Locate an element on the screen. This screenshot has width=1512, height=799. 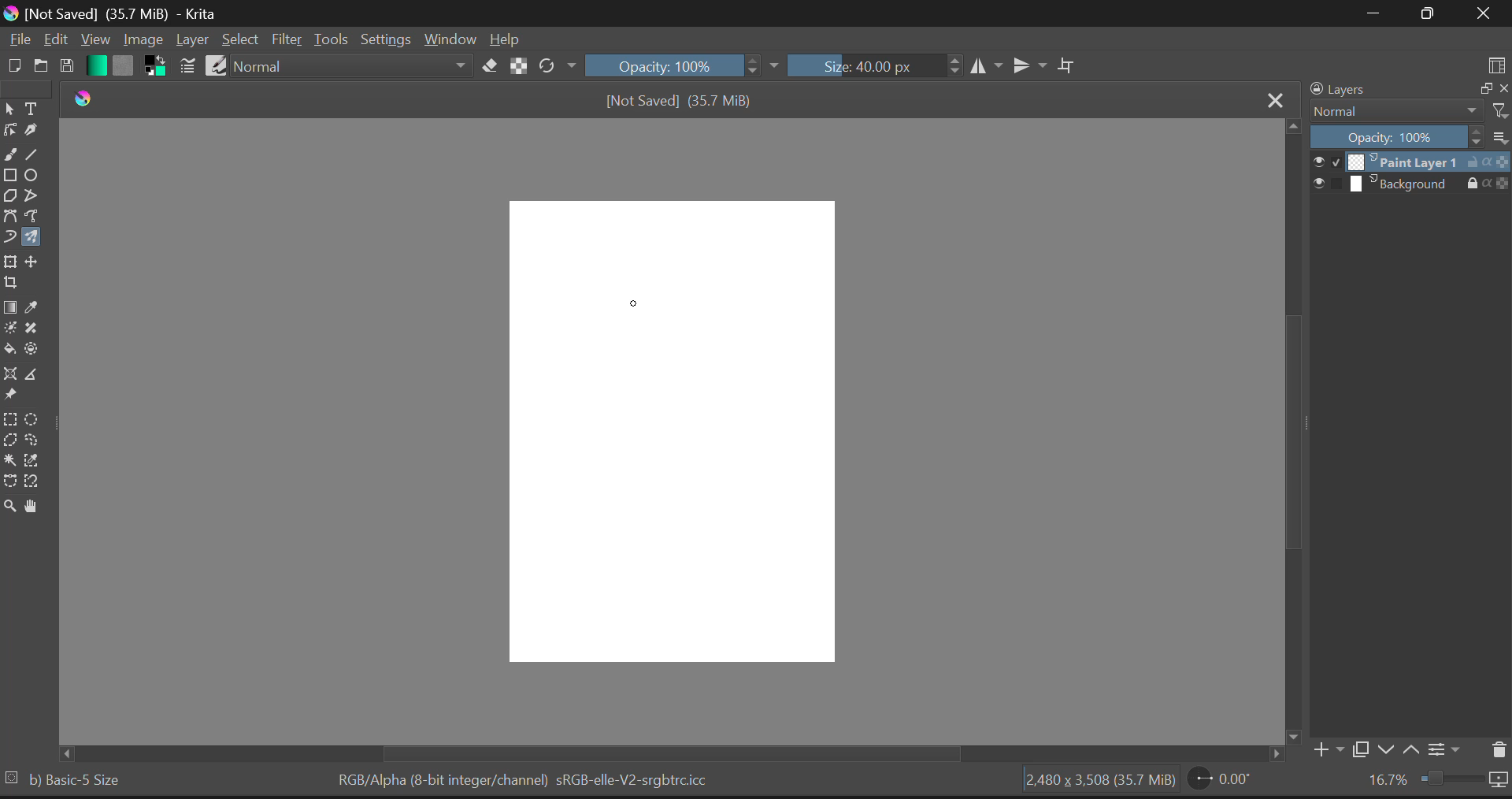
Select is located at coordinates (9, 109).